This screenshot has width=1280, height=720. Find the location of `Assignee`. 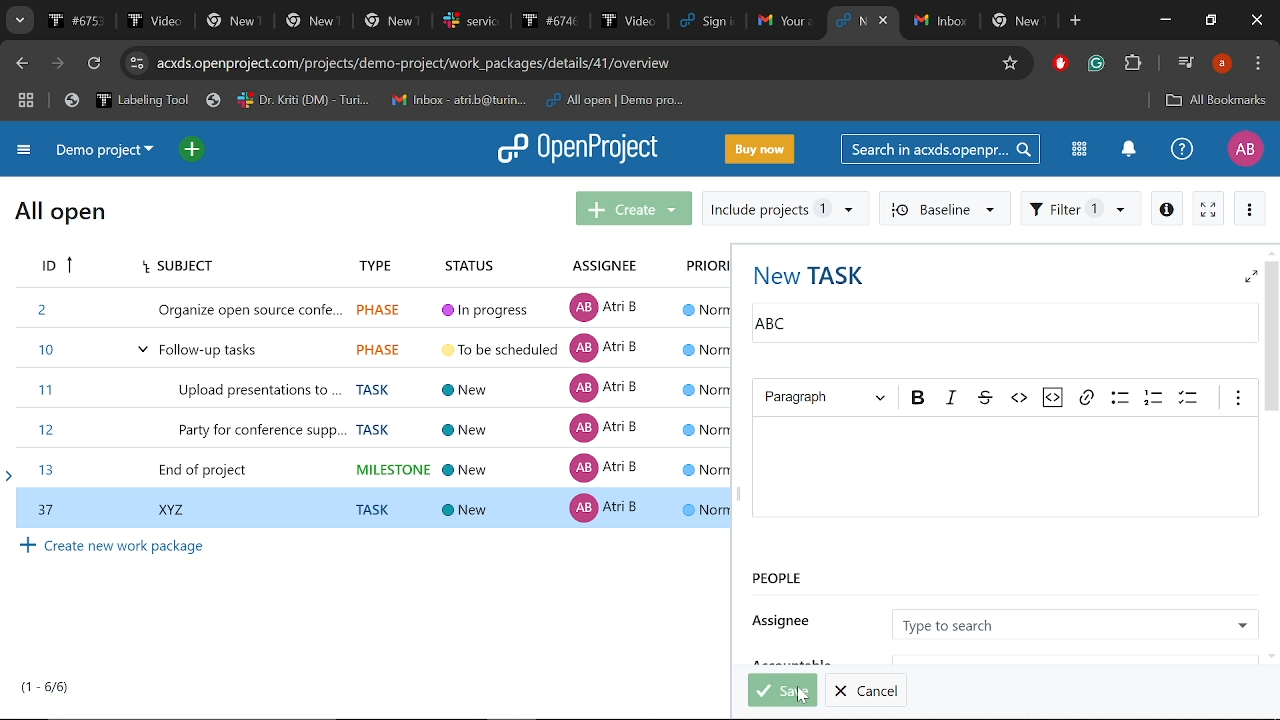

Assignee is located at coordinates (1074, 623).